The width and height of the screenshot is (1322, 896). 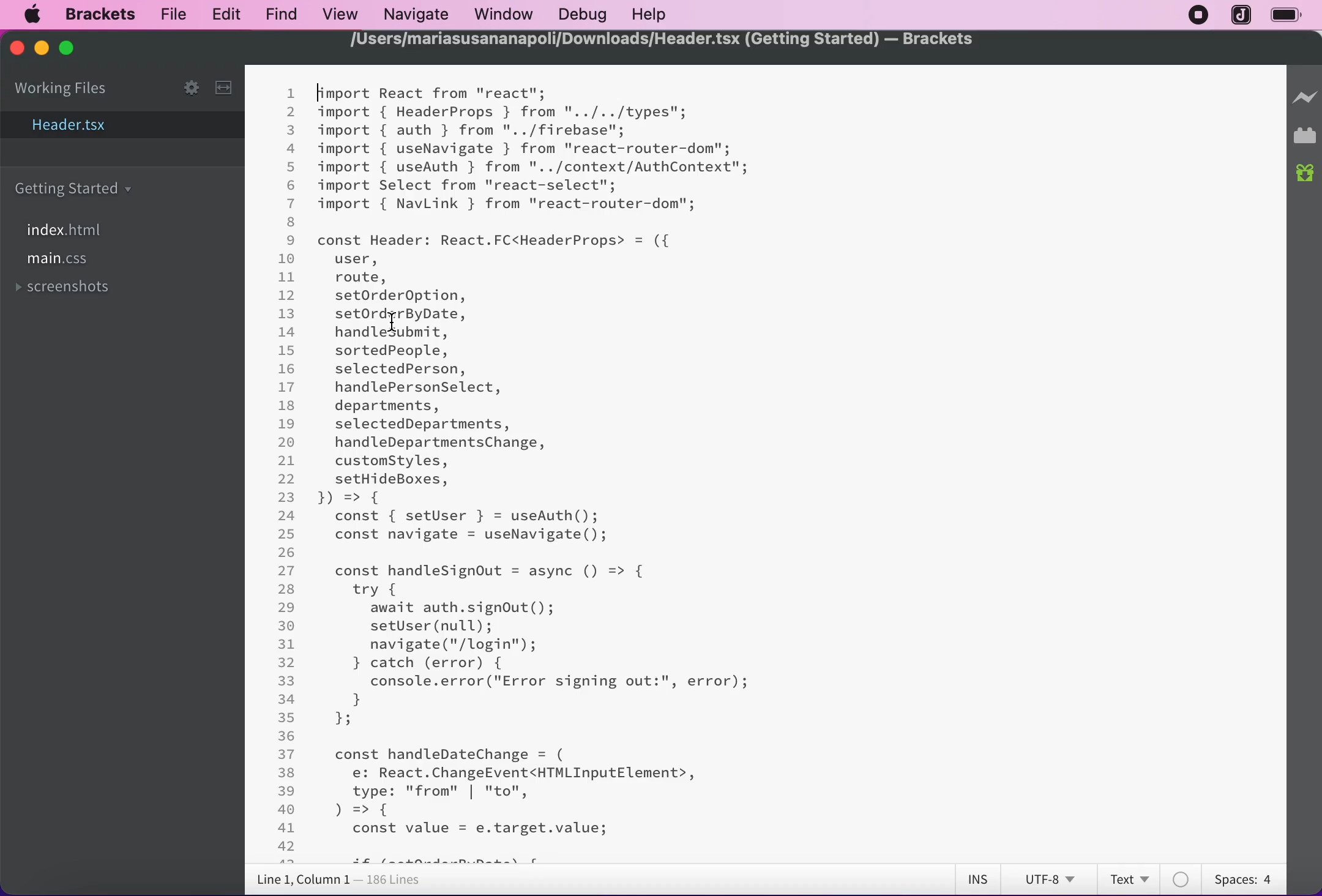 What do you see at coordinates (539, 648) in the screenshot?
I see `const handleSignOut = async () => {try {await auth.signOut();setUser (null);navigate("/login");} catch (error) {console.error ("Error signing out:", error);}};` at bounding box center [539, 648].